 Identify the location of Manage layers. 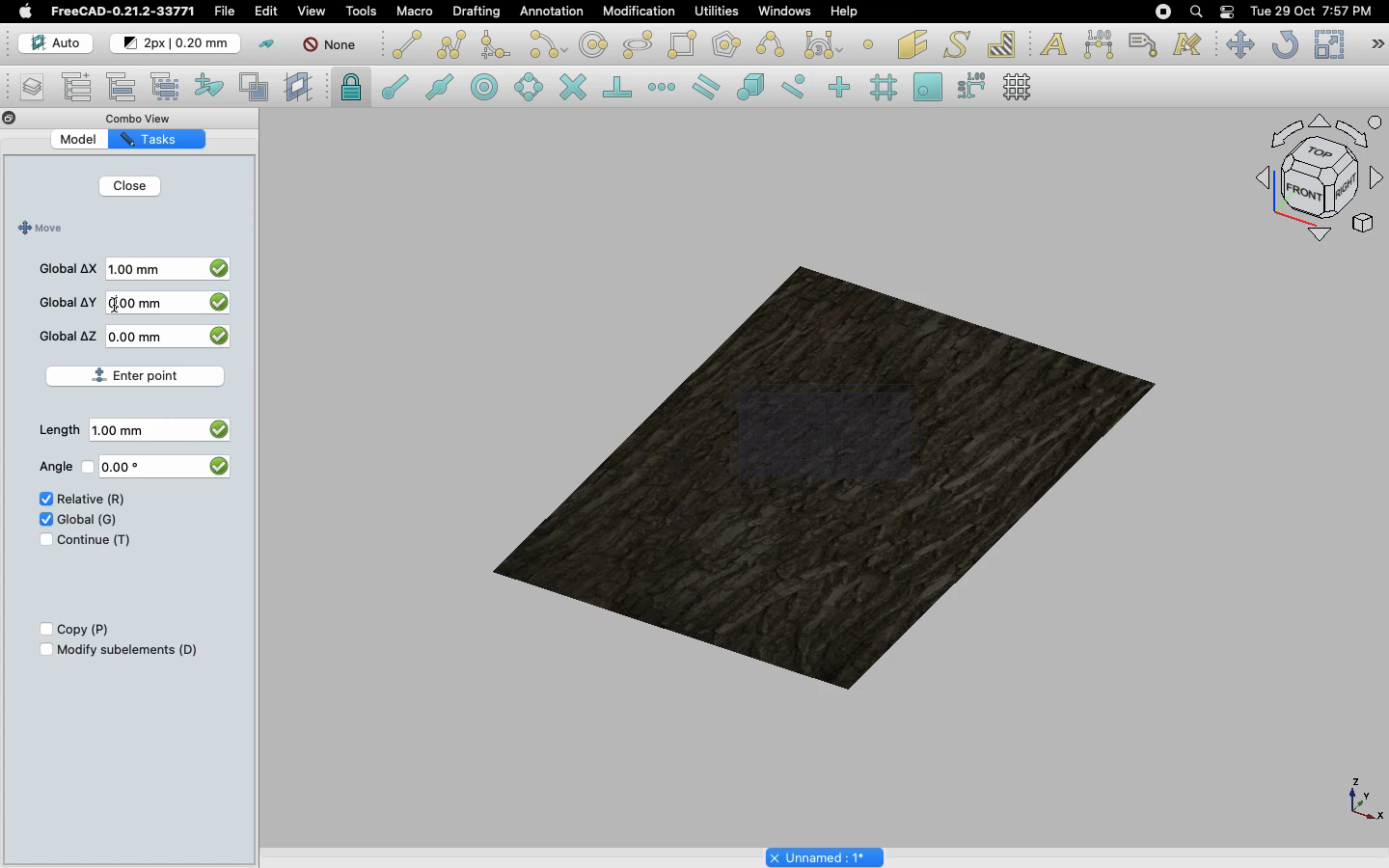
(25, 89).